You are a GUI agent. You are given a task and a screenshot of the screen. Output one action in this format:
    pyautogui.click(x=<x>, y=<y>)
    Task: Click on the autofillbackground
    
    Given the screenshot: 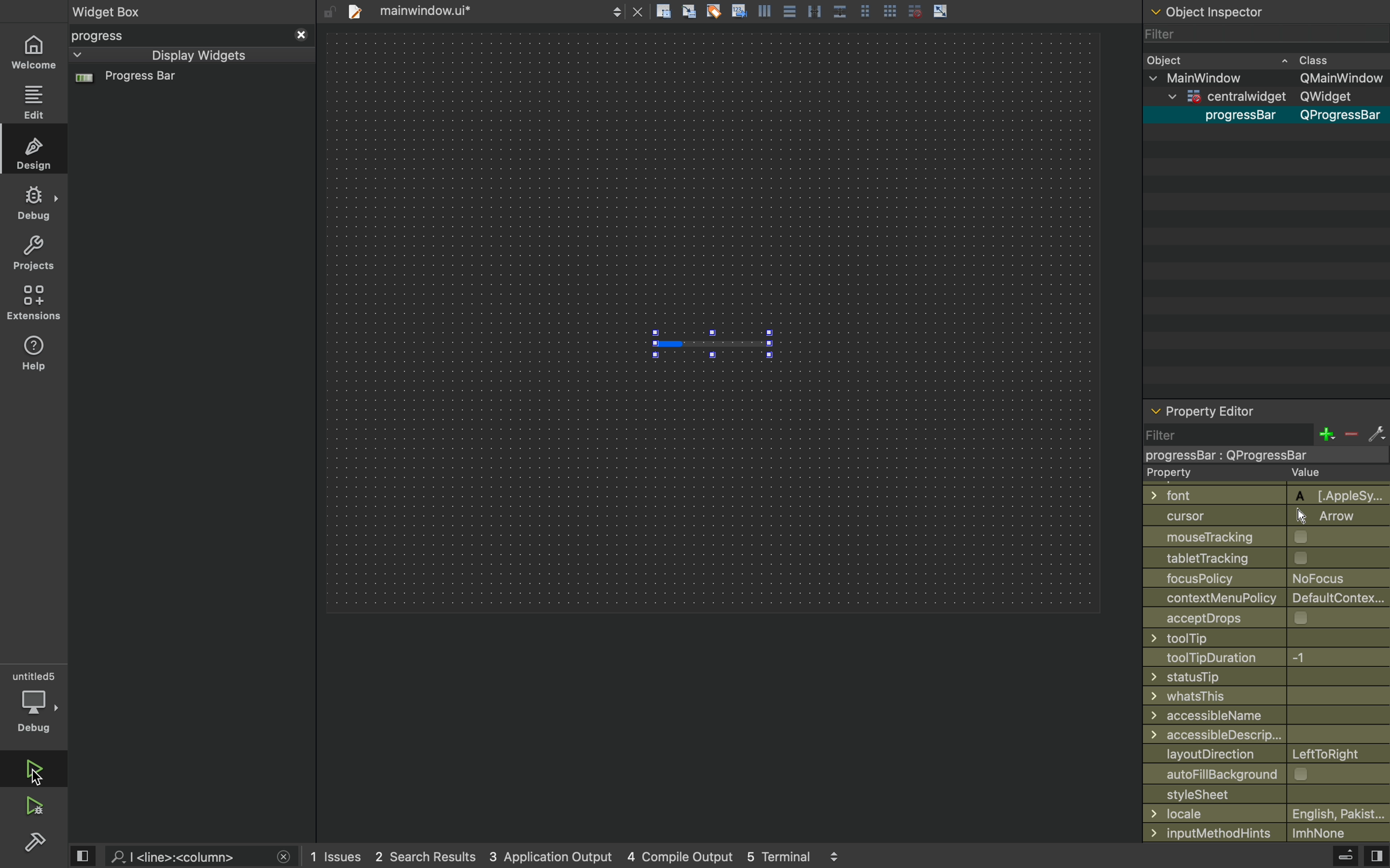 What is the action you would take?
    pyautogui.click(x=1269, y=774)
    